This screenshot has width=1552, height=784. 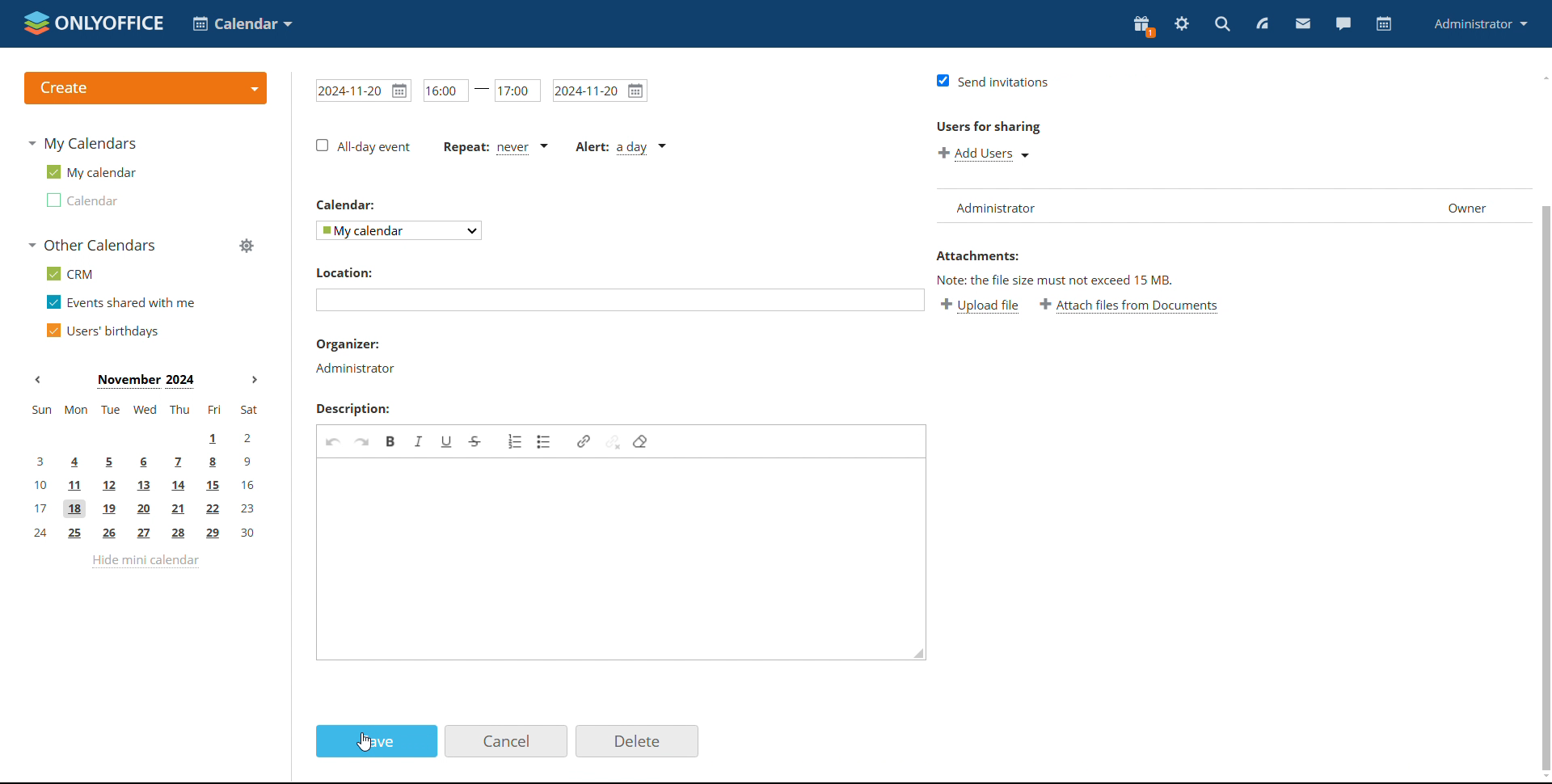 I want to click on Add description, so click(x=612, y=558).